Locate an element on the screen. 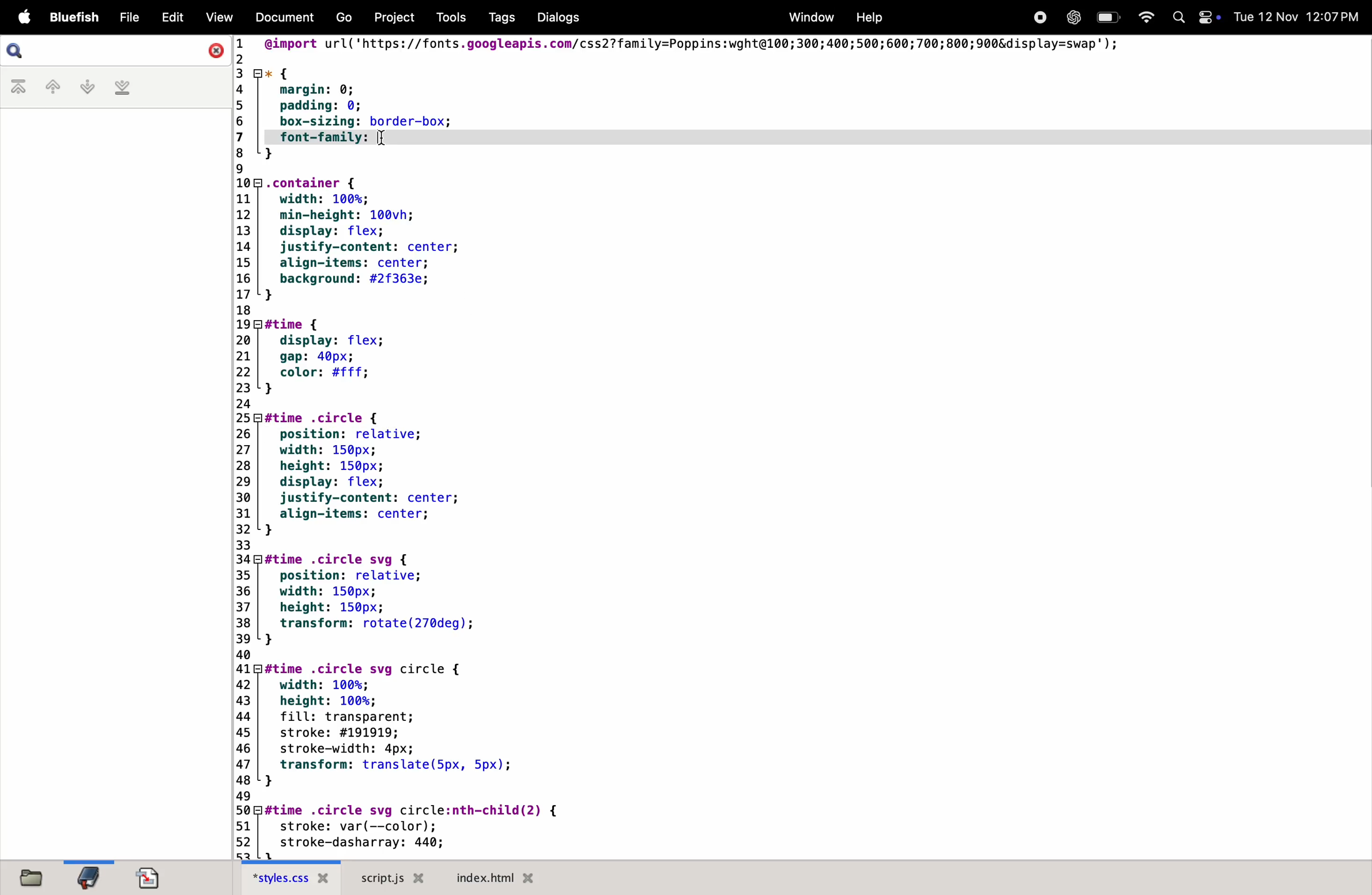 The width and height of the screenshot is (1372, 895). script.js is located at coordinates (395, 878).